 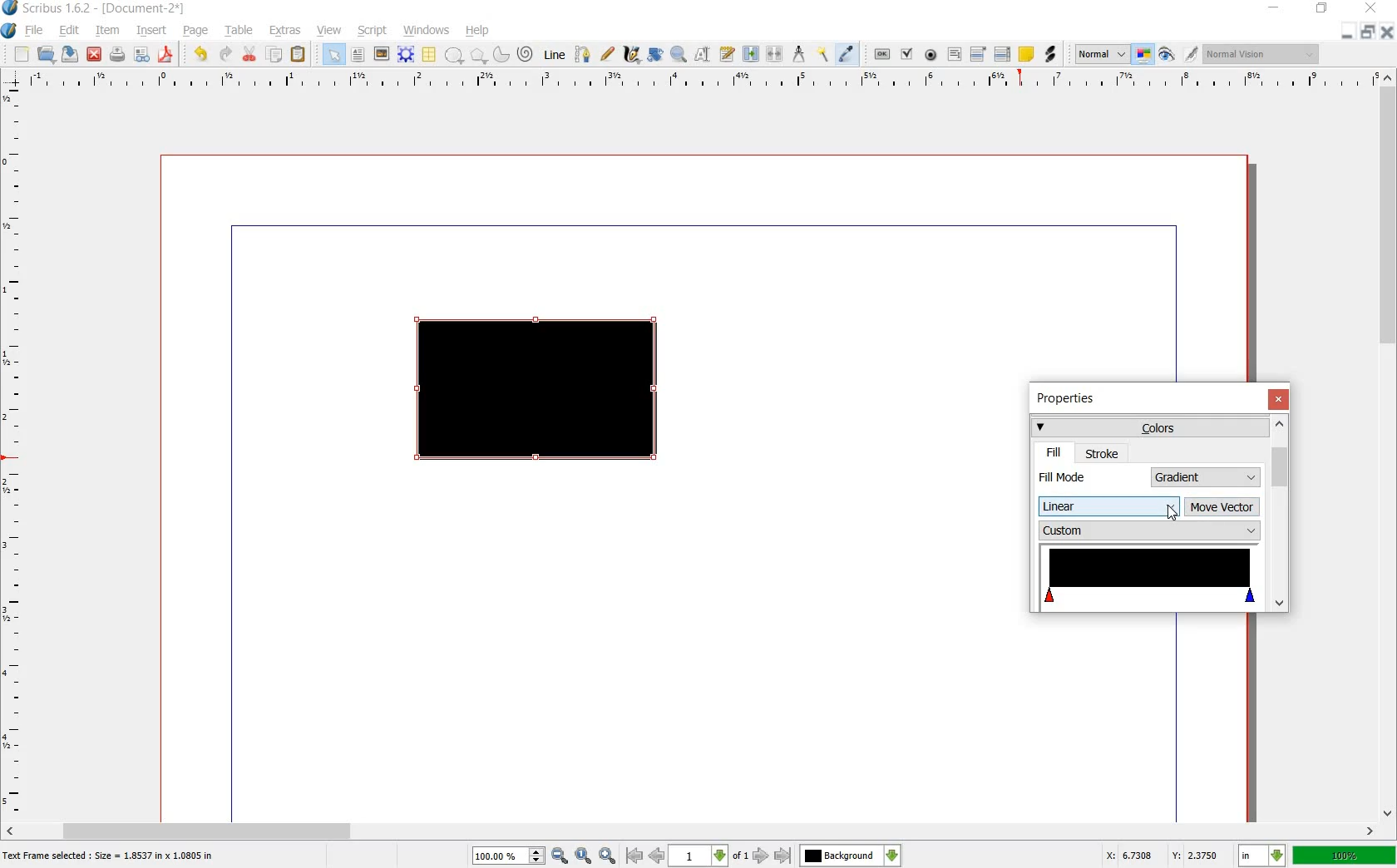 What do you see at coordinates (882, 52) in the screenshot?
I see `pdf push button` at bounding box center [882, 52].